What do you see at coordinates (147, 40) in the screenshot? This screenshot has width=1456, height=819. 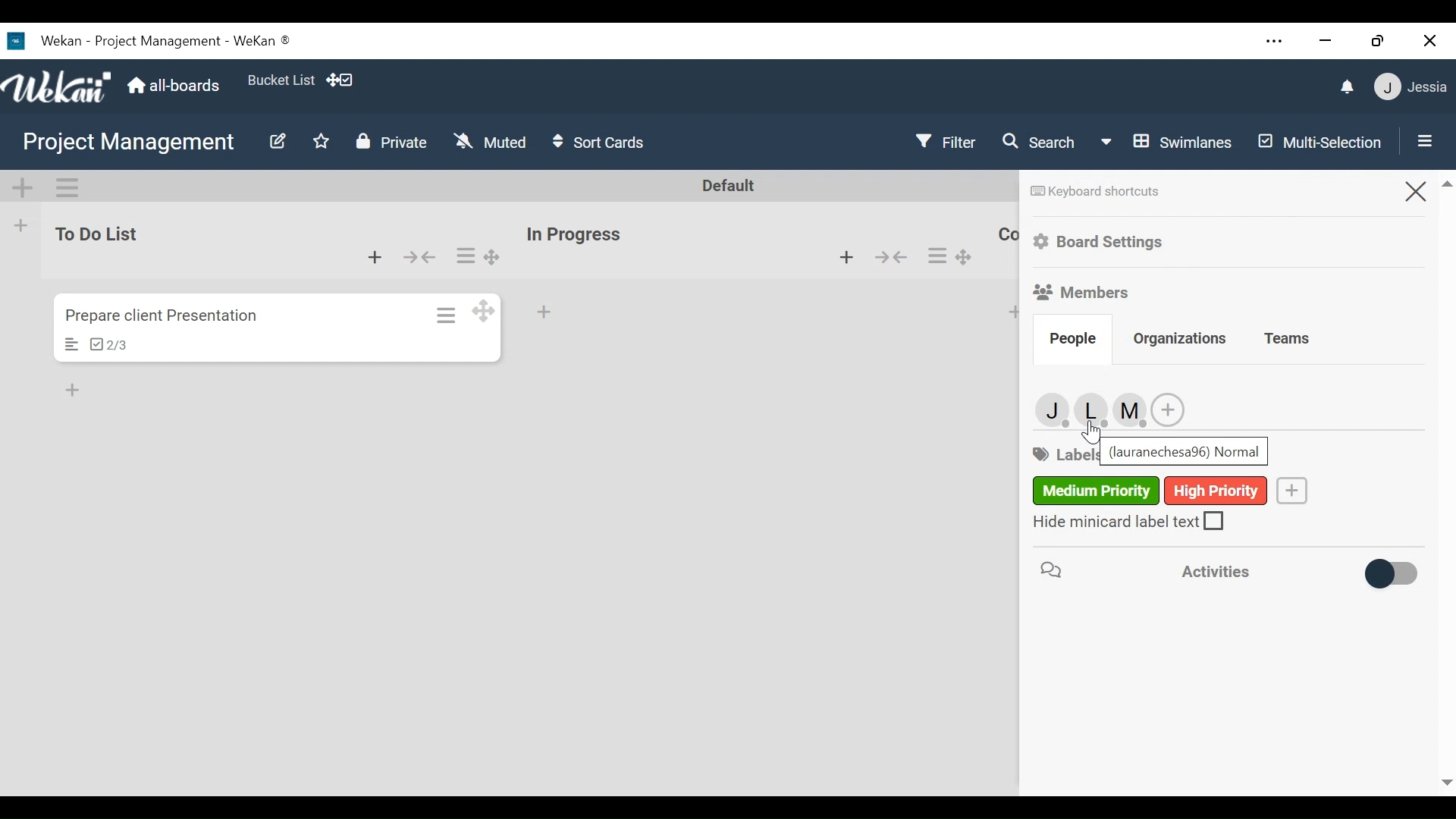 I see `Wekan Desktop icon` at bounding box center [147, 40].